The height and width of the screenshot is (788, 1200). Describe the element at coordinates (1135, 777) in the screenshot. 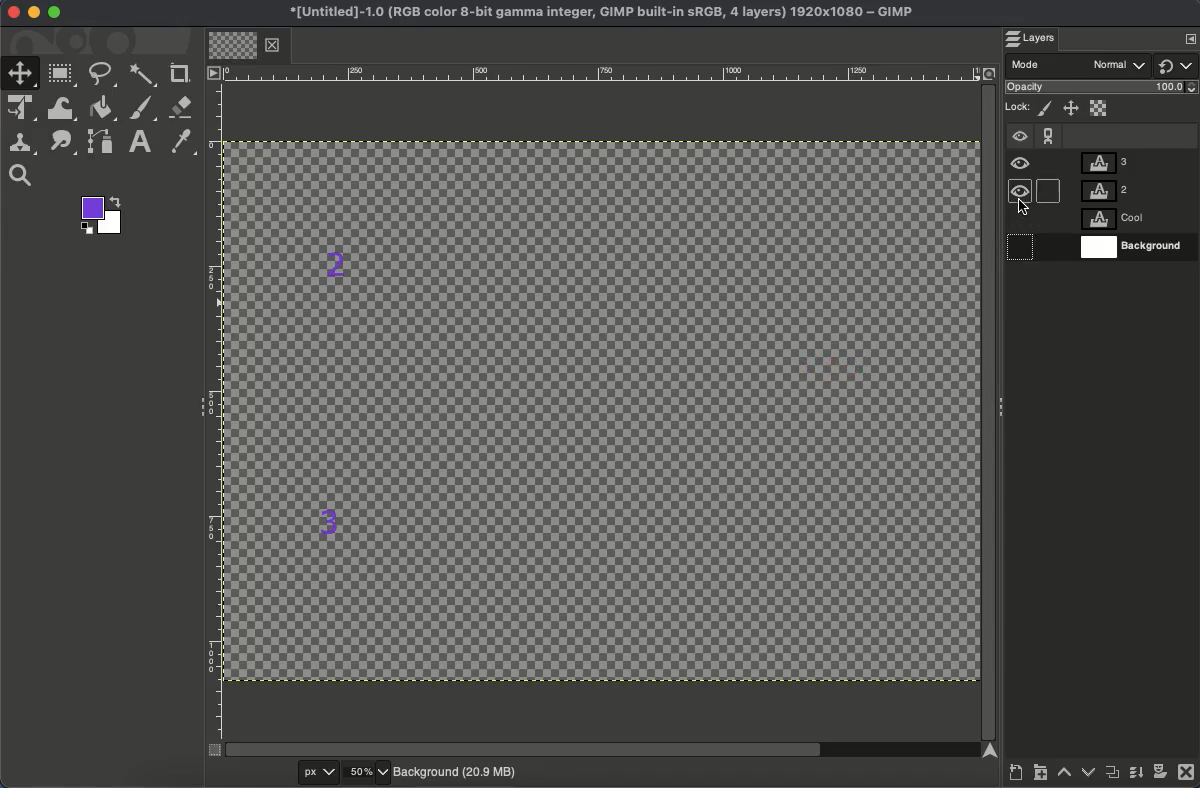

I see `Merge` at that location.